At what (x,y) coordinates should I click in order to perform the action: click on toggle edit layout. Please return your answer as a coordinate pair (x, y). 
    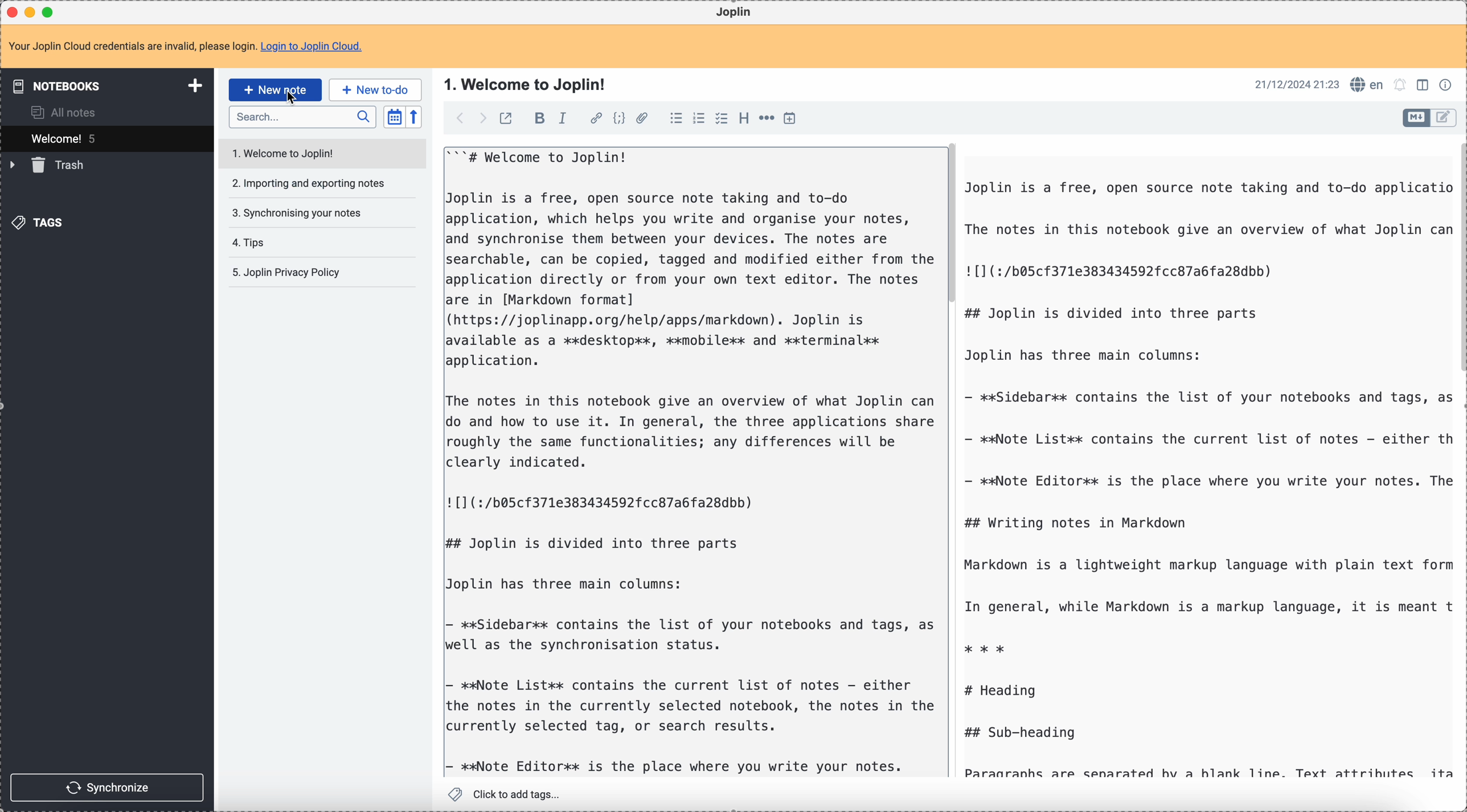
    Looking at the image, I should click on (1417, 118).